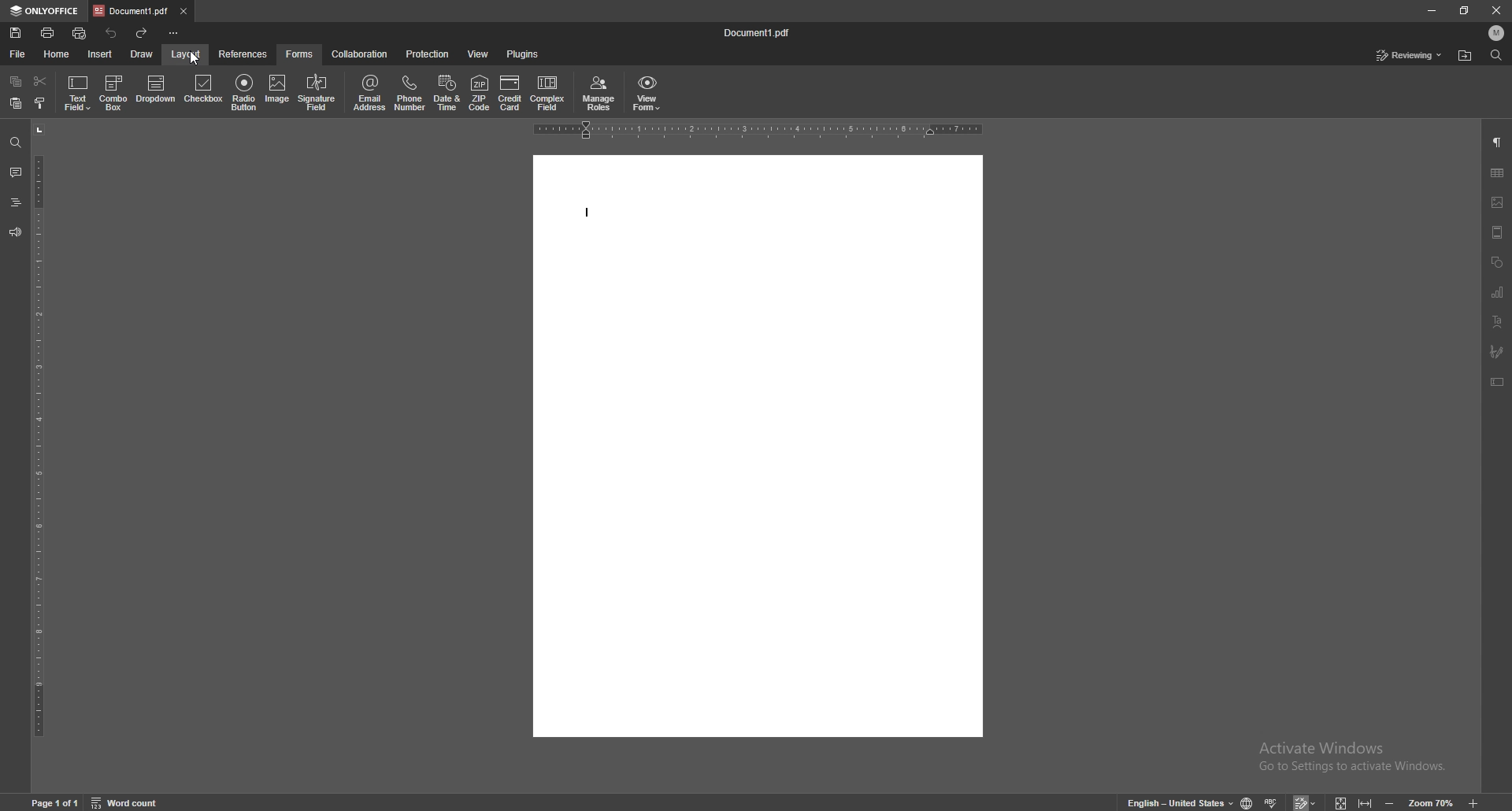 The height and width of the screenshot is (811, 1512). What do you see at coordinates (40, 81) in the screenshot?
I see `cut` at bounding box center [40, 81].